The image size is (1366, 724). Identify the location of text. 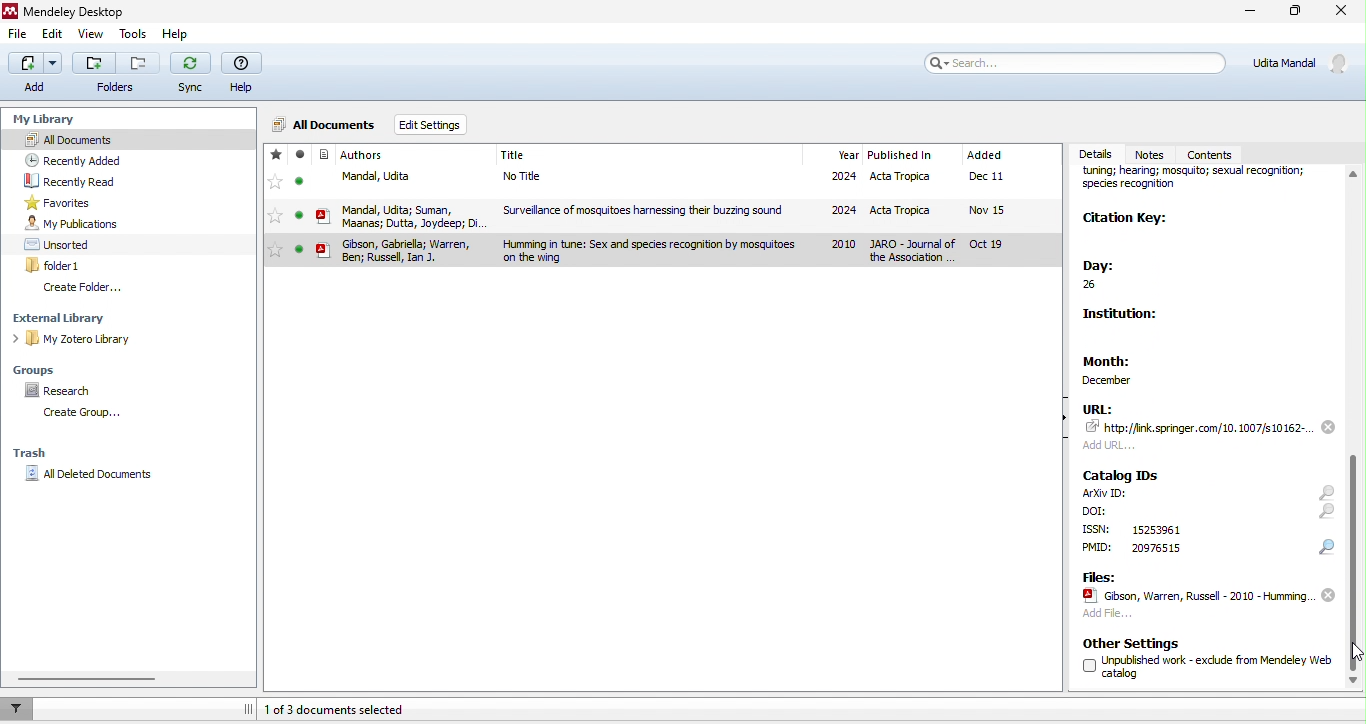
(1097, 529).